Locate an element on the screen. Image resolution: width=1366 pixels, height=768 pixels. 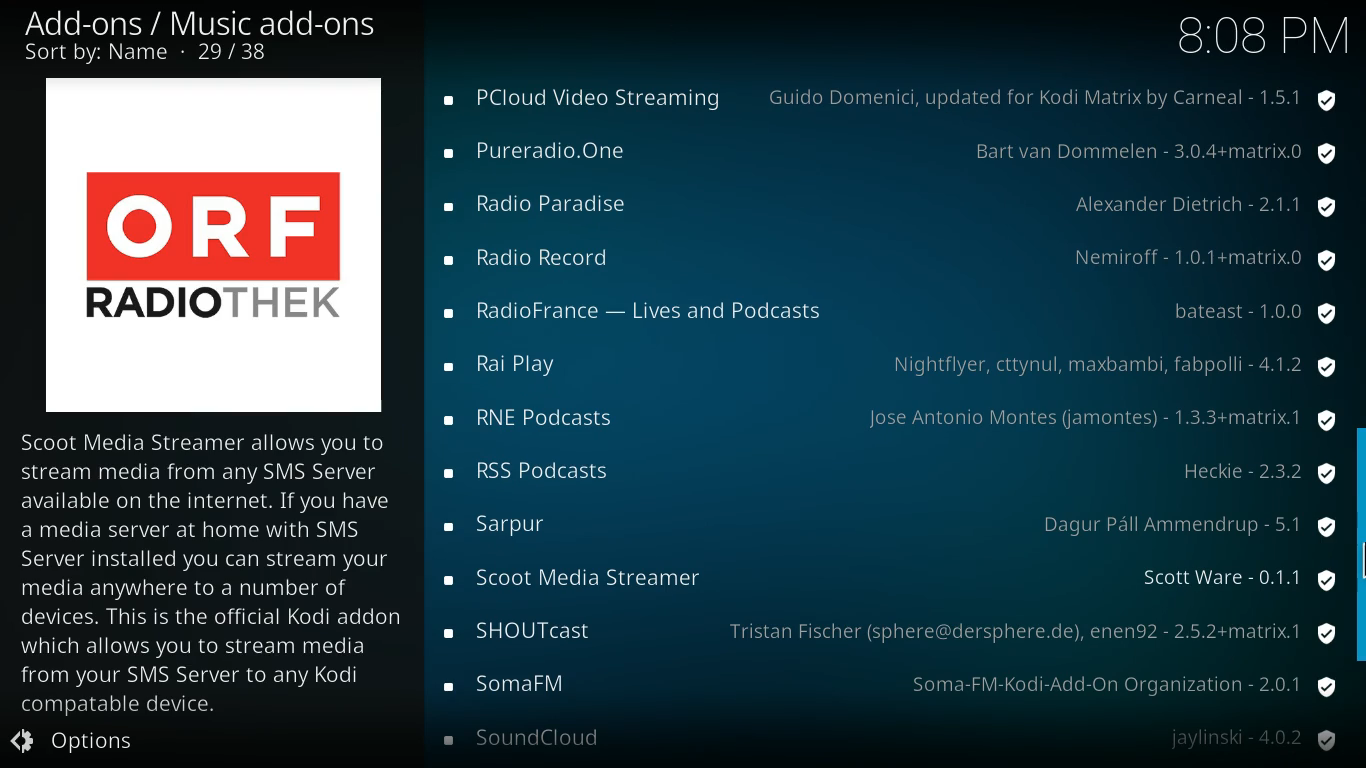
provider is located at coordinates (1211, 211).